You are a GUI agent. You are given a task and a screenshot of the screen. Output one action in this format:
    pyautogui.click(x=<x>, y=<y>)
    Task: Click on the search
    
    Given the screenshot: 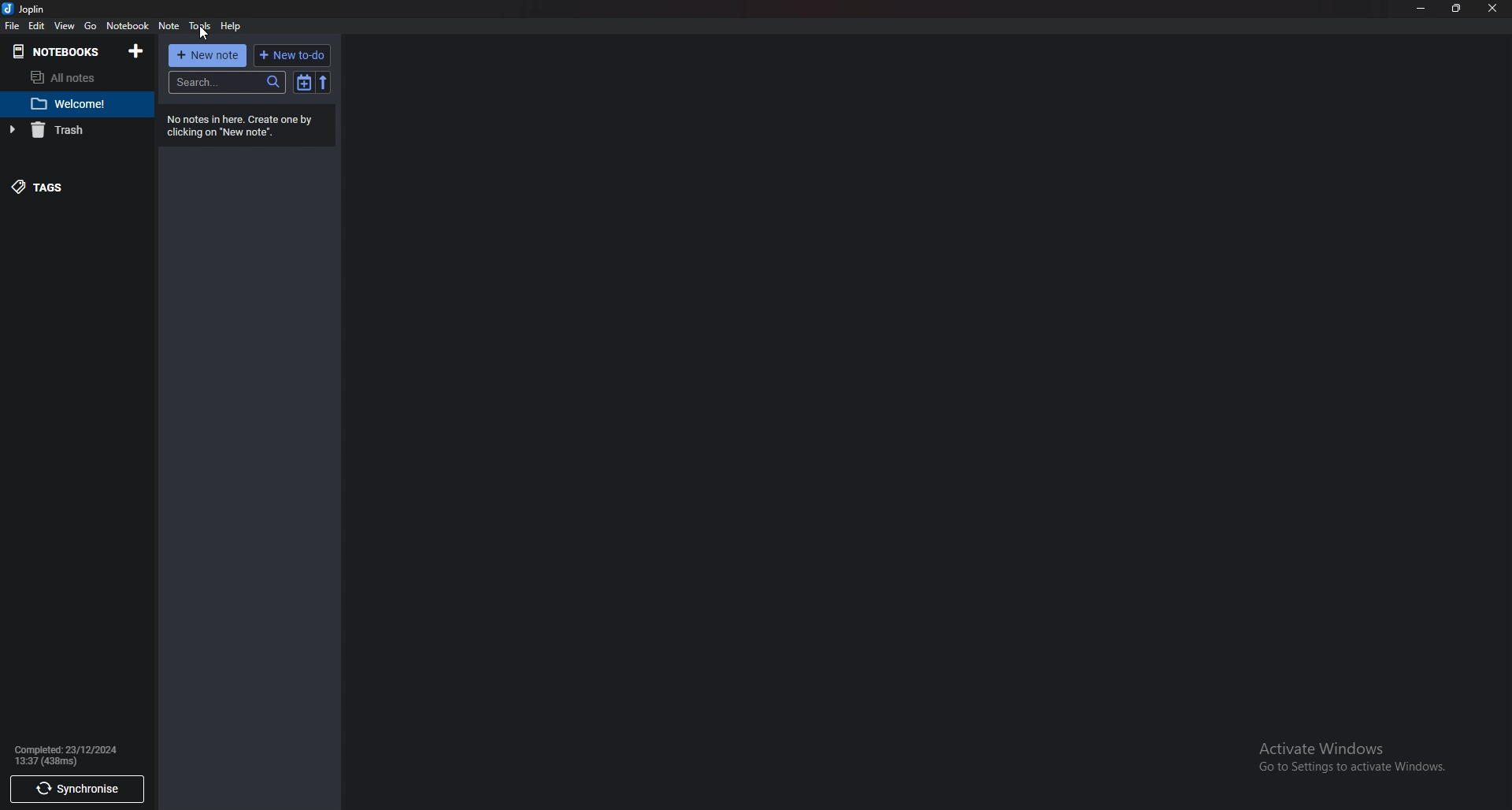 What is the action you would take?
    pyautogui.click(x=228, y=82)
    